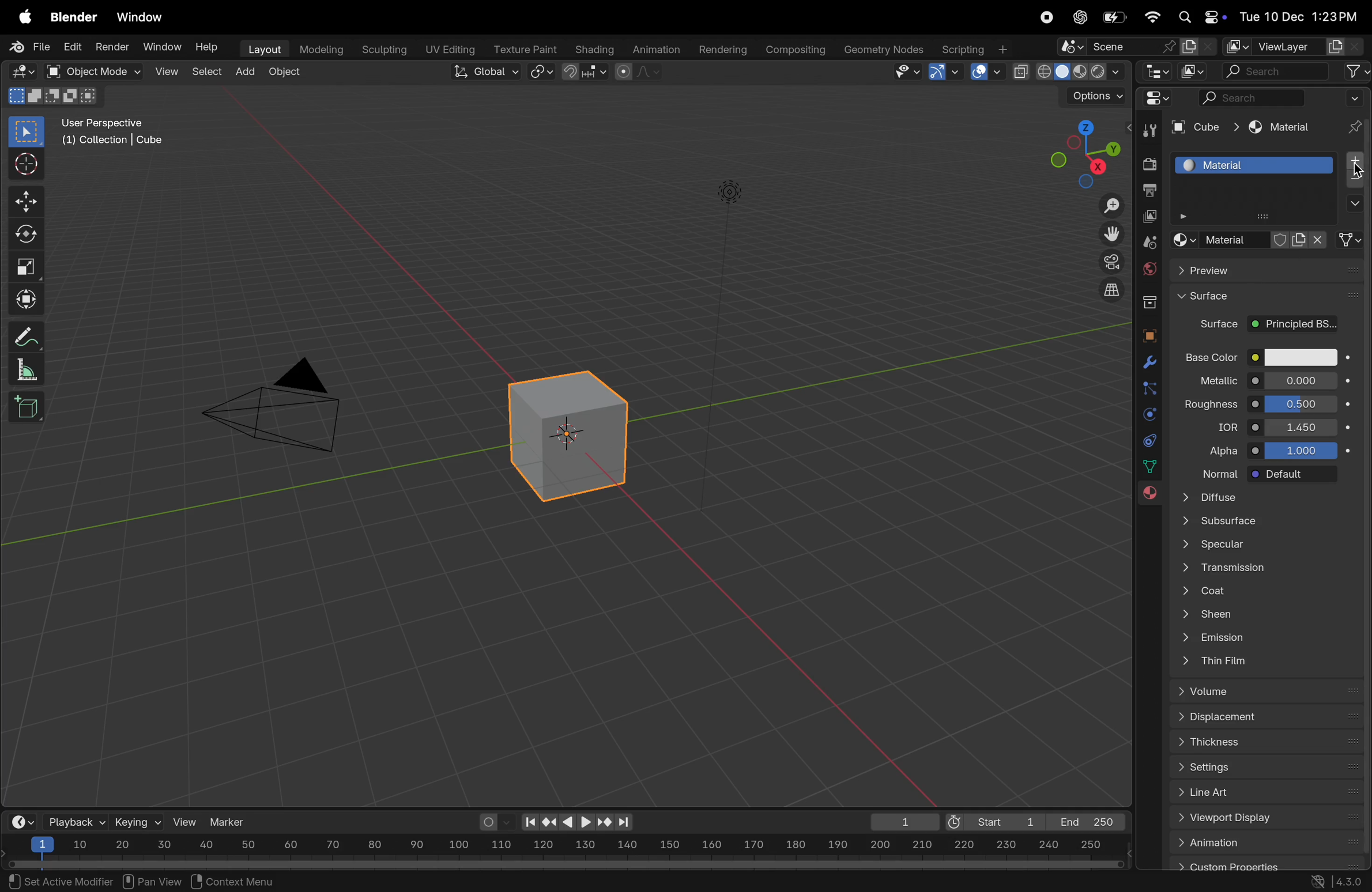  Describe the element at coordinates (985, 72) in the screenshot. I see `show overlays` at that location.